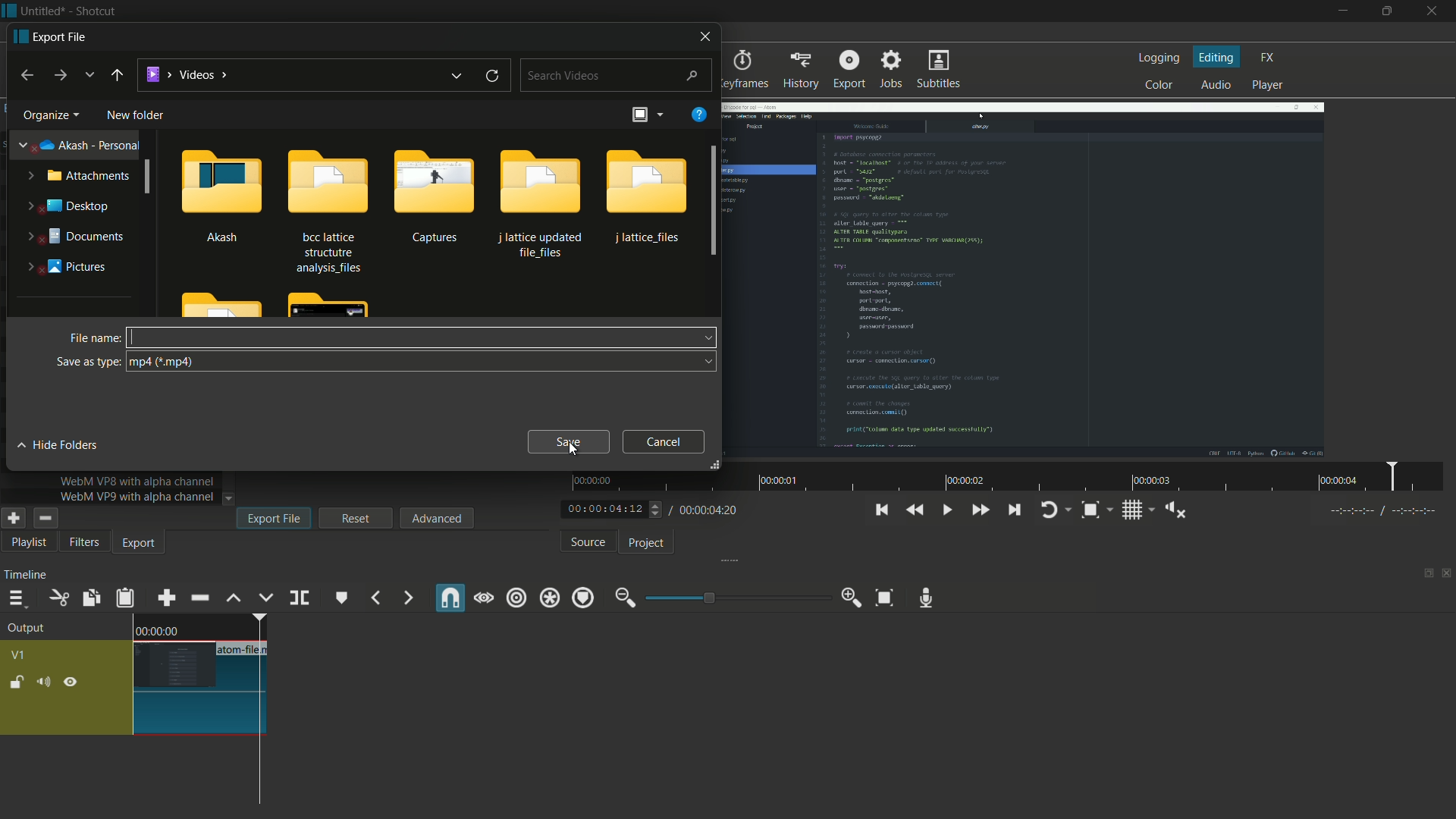  I want to click on editing, so click(1218, 58).